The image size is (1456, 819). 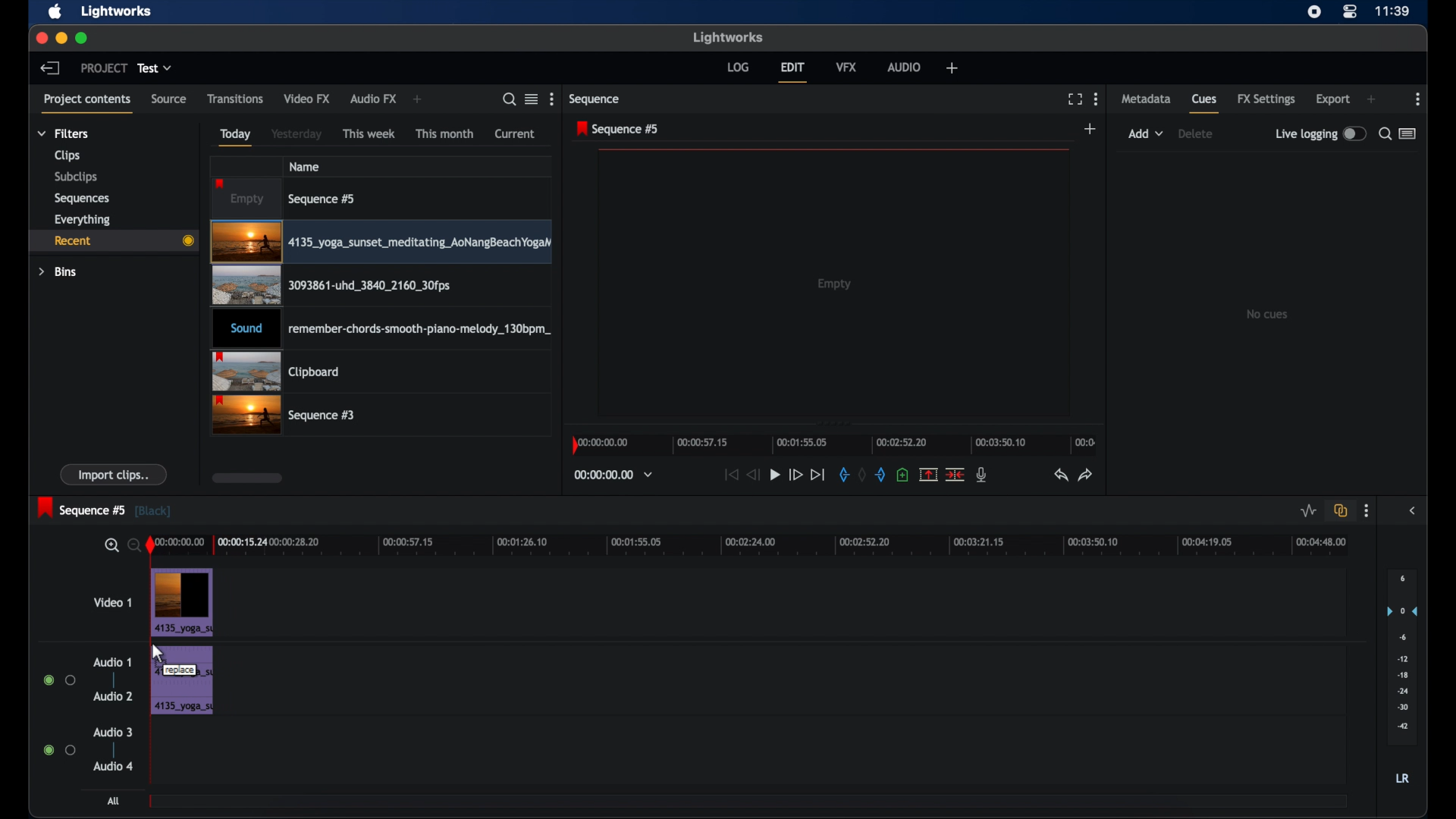 I want to click on scroll box, so click(x=246, y=478).